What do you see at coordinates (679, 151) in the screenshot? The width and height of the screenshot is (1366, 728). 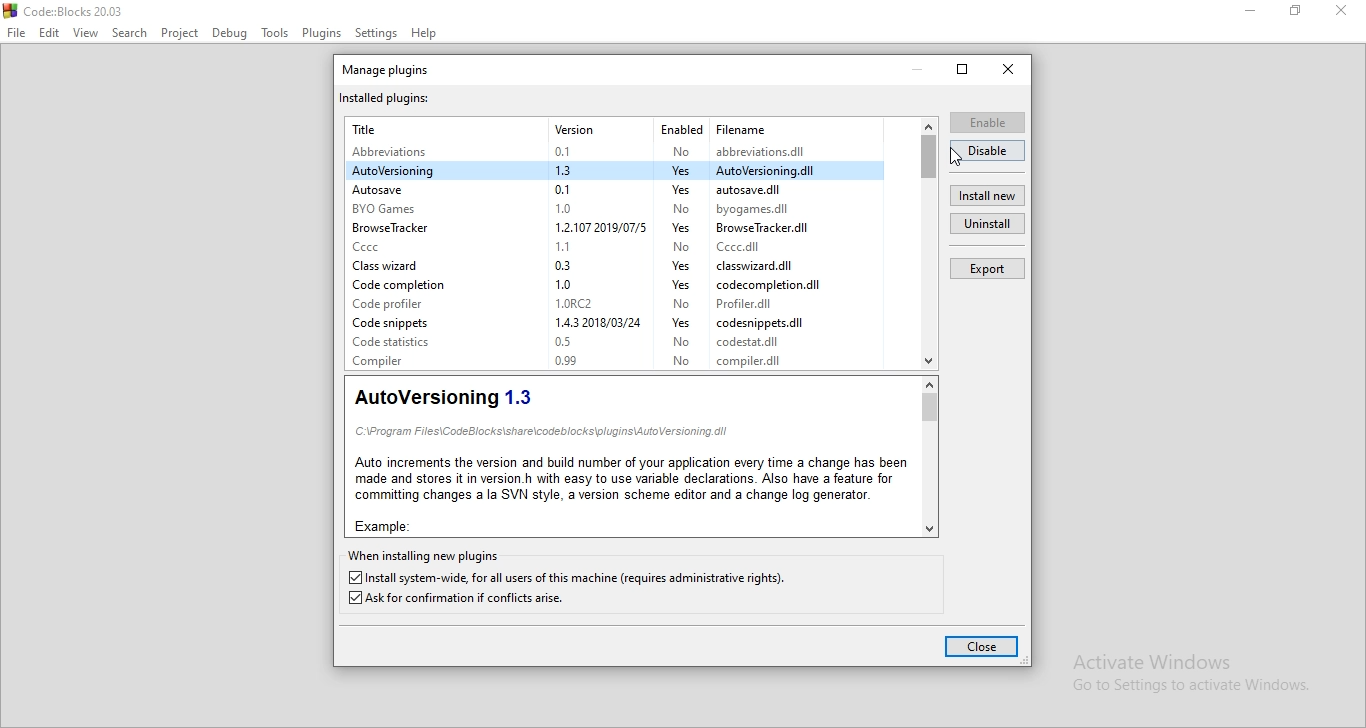 I see `No` at bounding box center [679, 151].